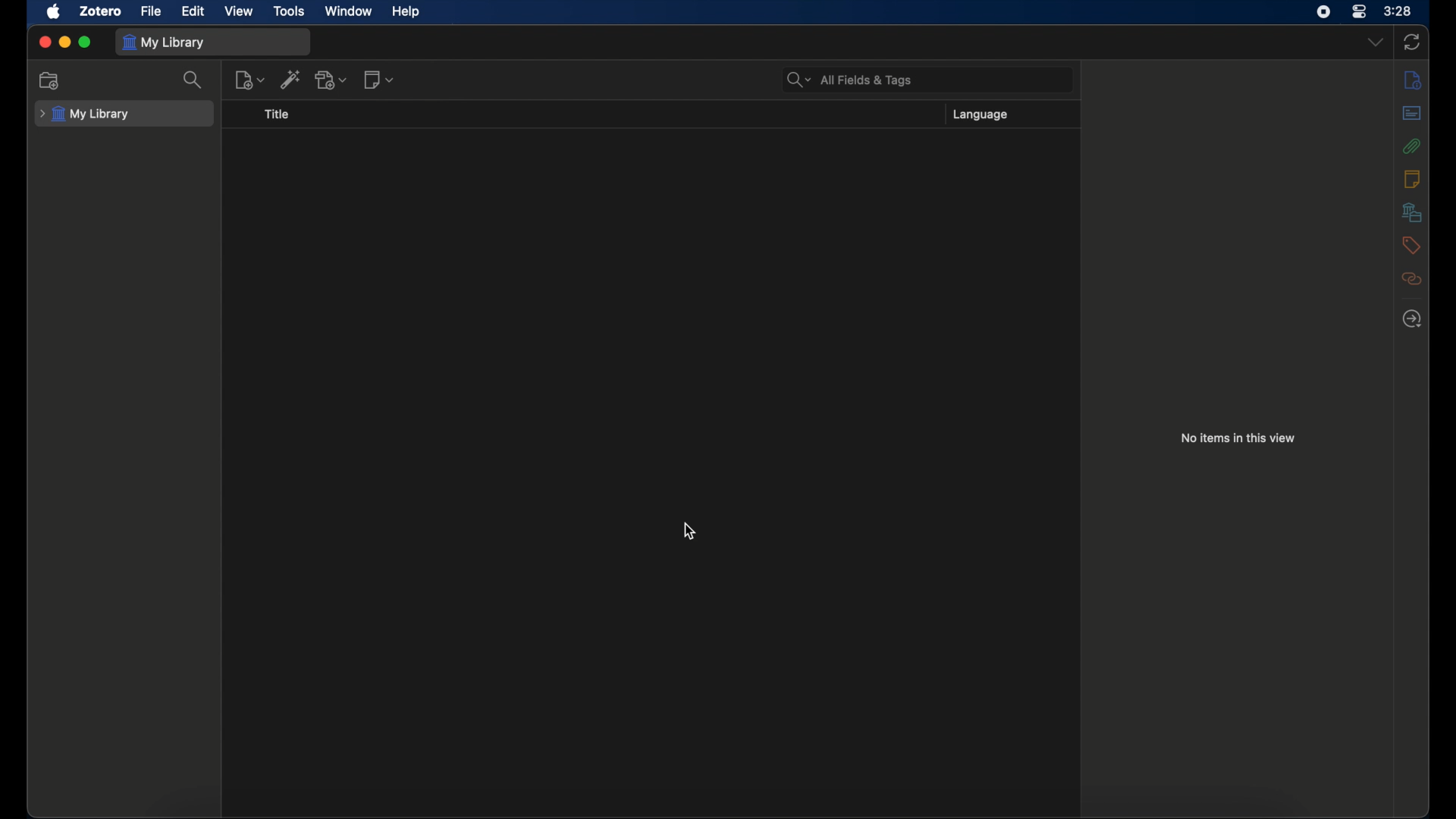 This screenshot has height=819, width=1456. What do you see at coordinates (276, 113) in the screenshot?
I see `title` at bounding box center [276, 113].